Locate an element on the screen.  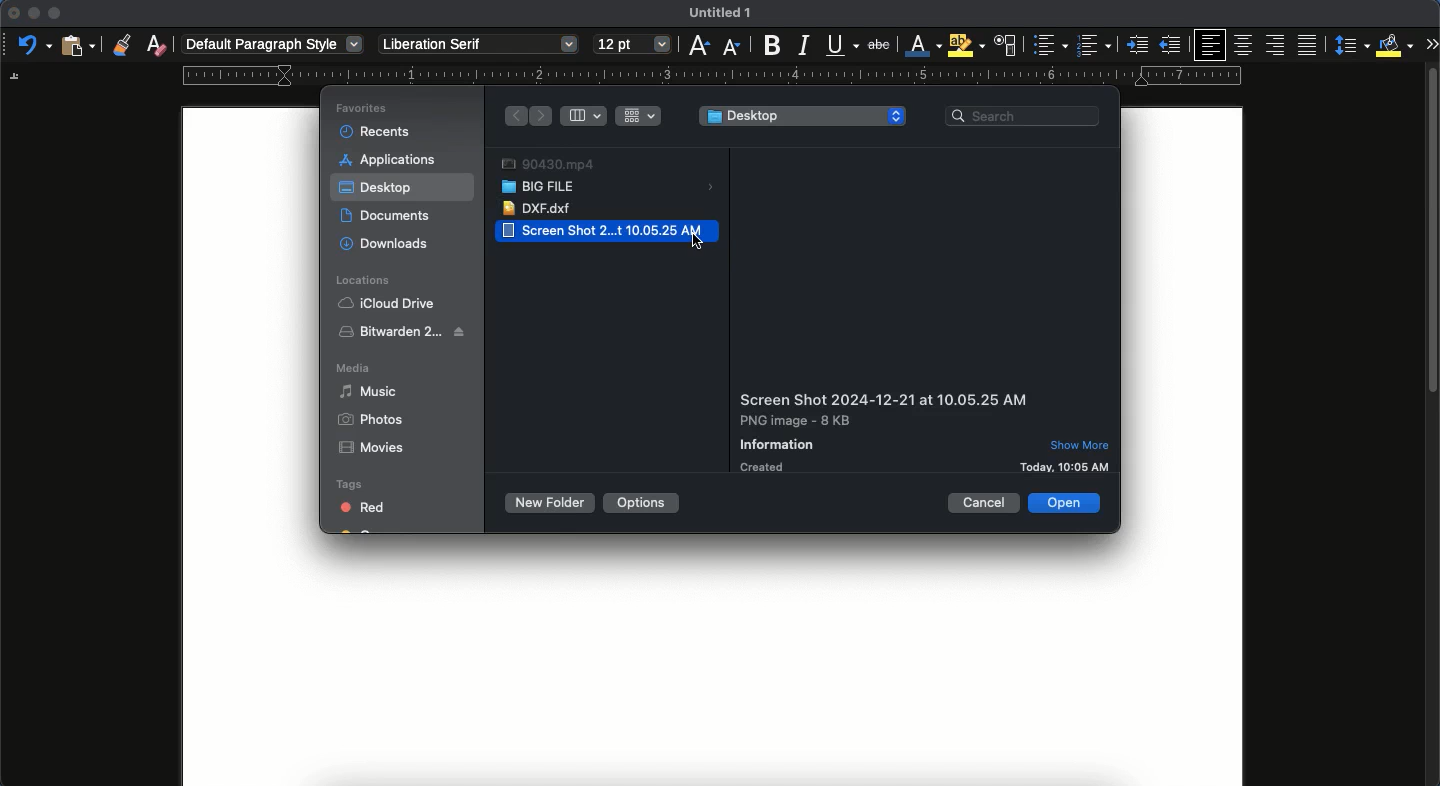
page is located at coordinates (713, 667).